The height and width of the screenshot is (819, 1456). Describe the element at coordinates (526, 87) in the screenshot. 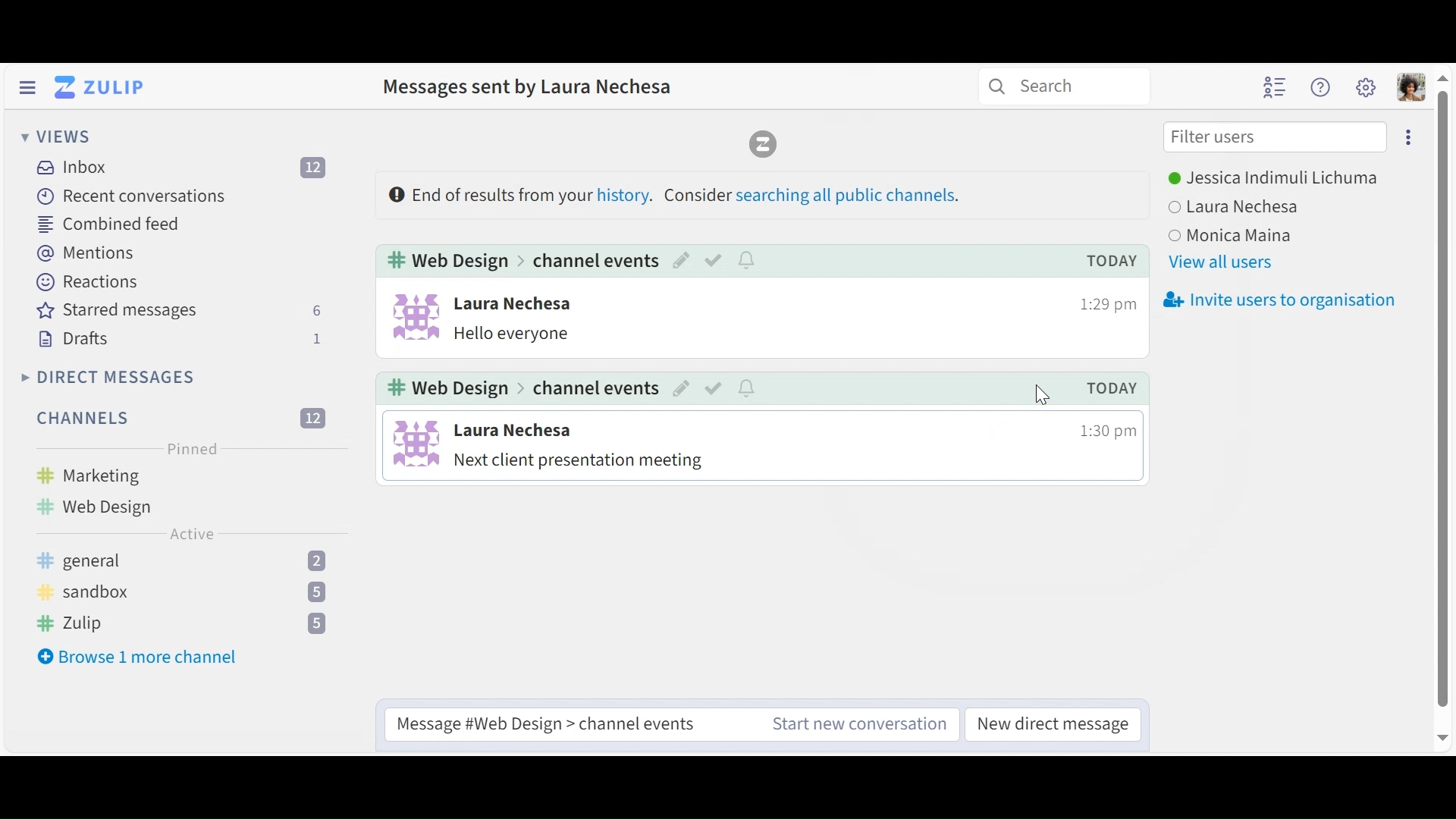

I see `Message sent by this user` at that location.